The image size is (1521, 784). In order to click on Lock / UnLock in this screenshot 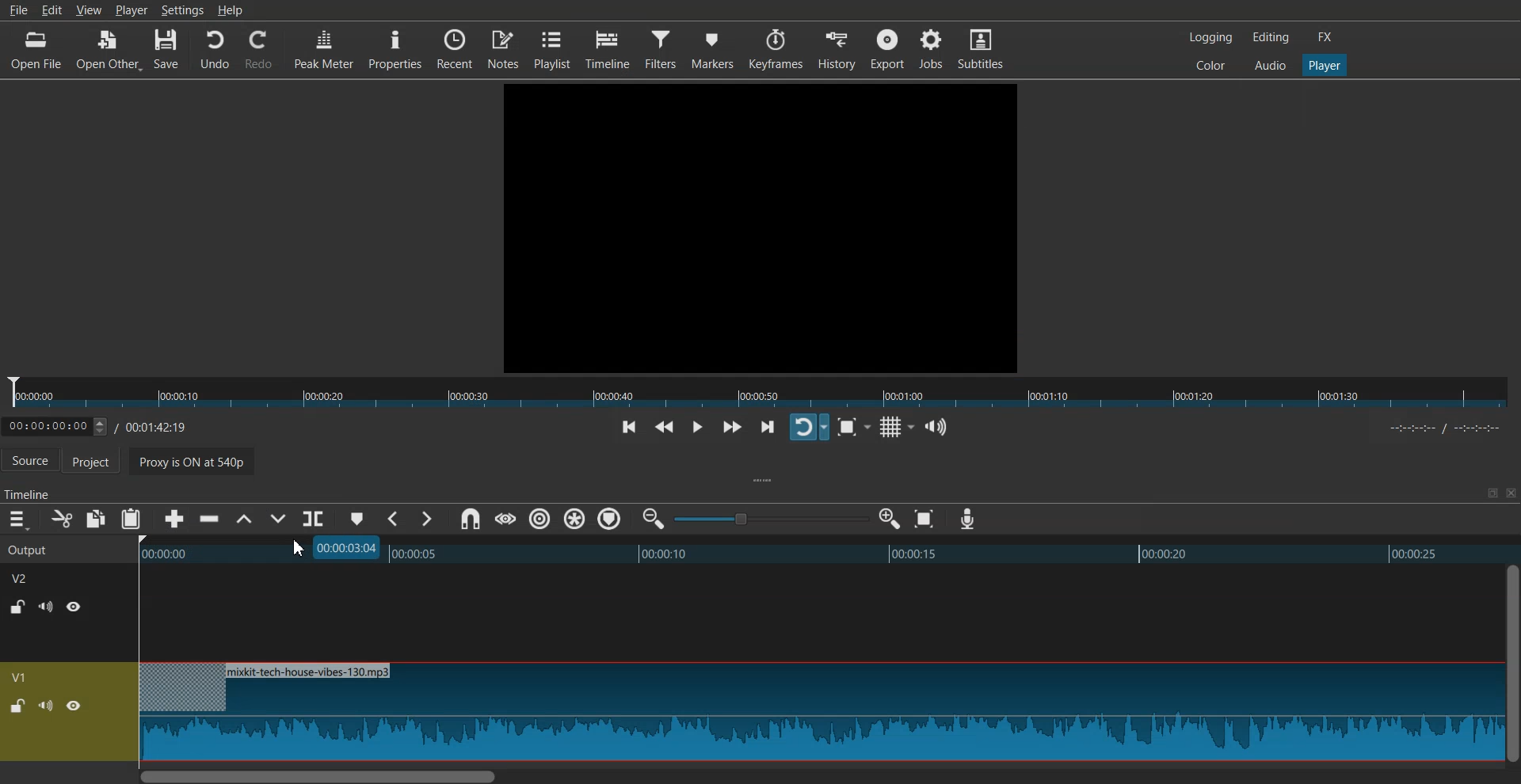, I will do `click(17, 706)`.